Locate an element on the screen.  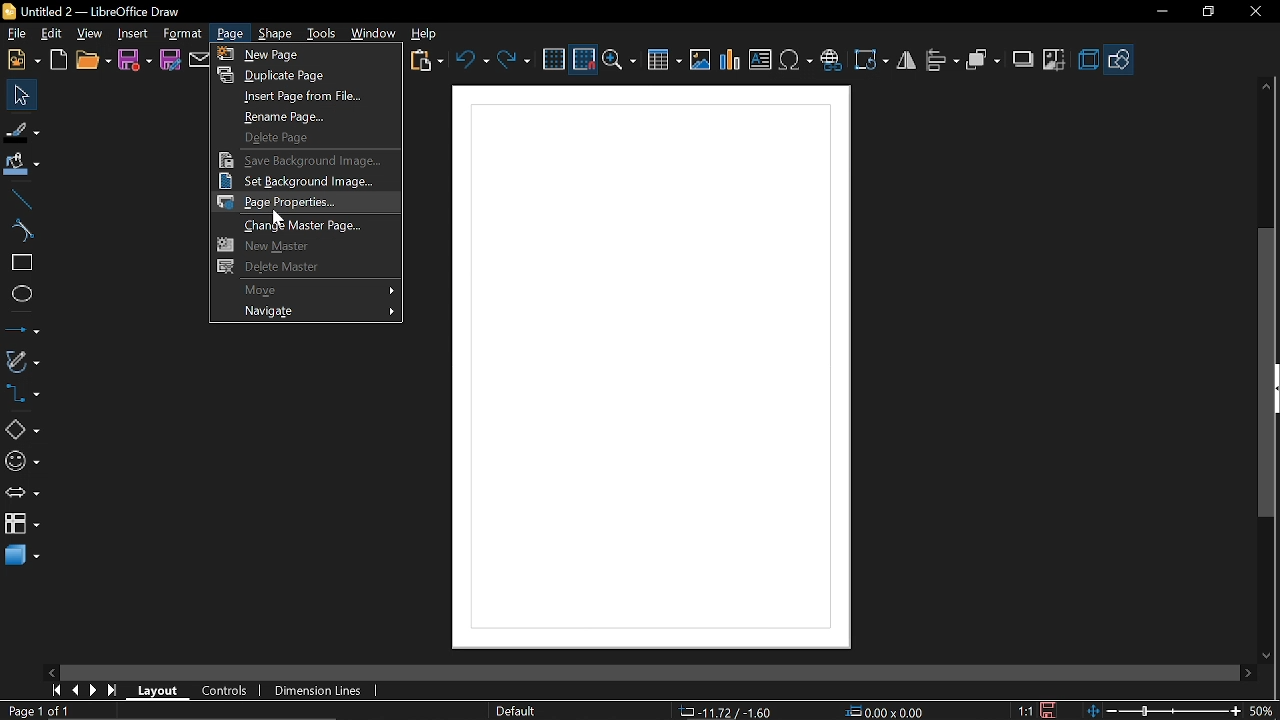
Open is located at coordinates (92, 61).